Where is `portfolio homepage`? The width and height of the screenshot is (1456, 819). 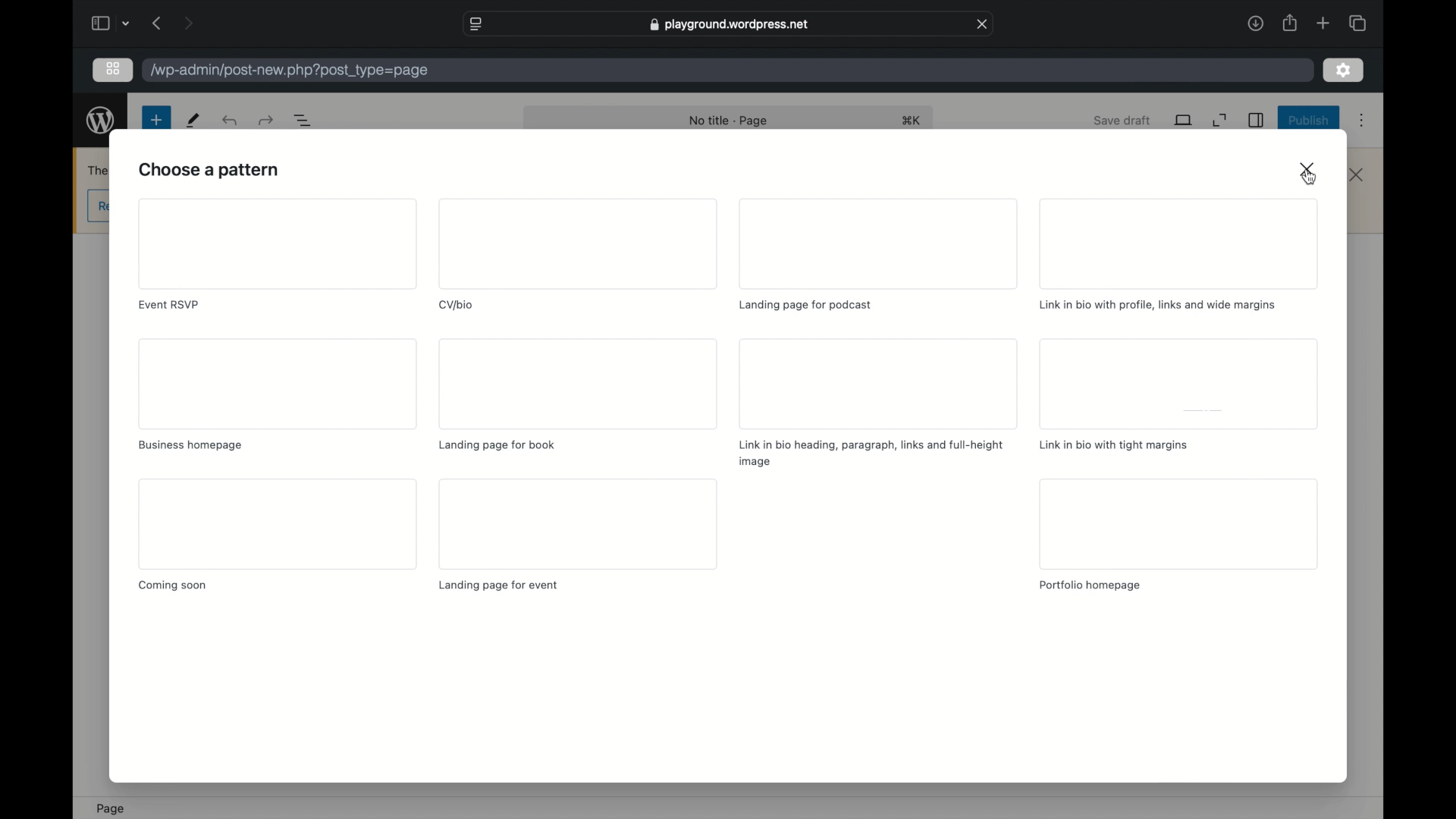 portfolio homepage is located at coordinates (1090, 585).